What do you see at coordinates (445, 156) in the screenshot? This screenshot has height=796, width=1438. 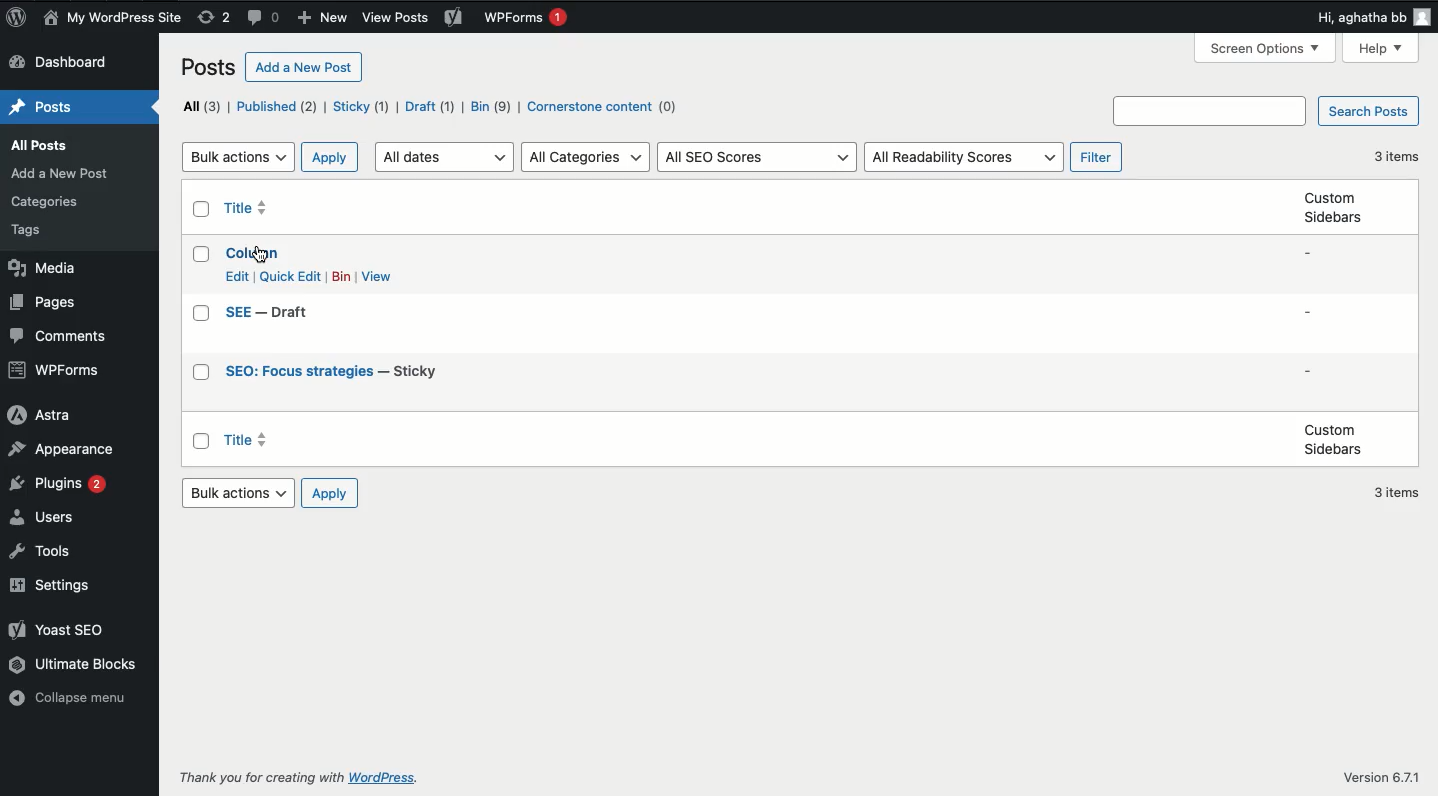 I see `All dates` at bounding box center [445, 156].